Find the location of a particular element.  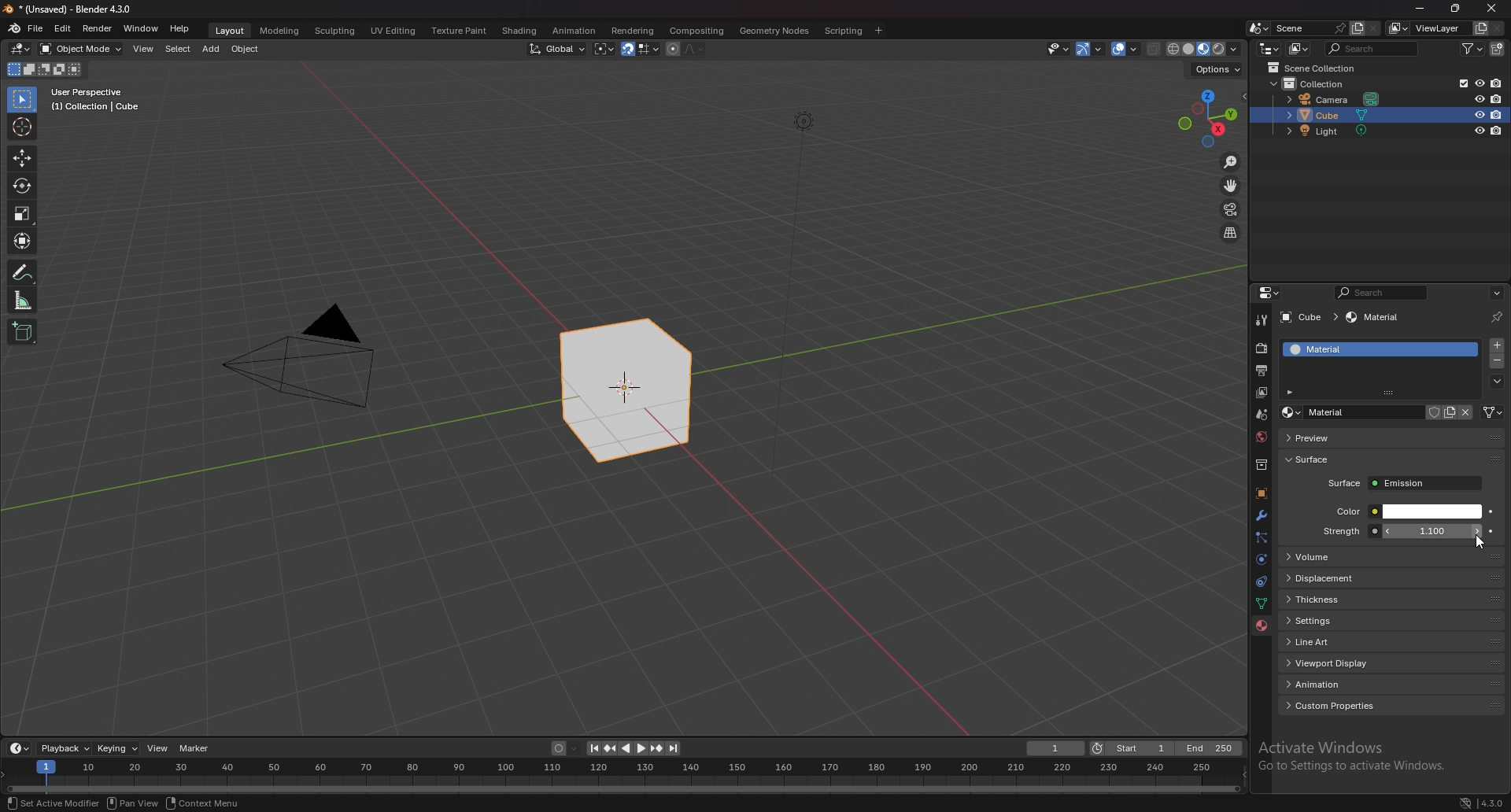

animation is located at coordinates (1393, 685).